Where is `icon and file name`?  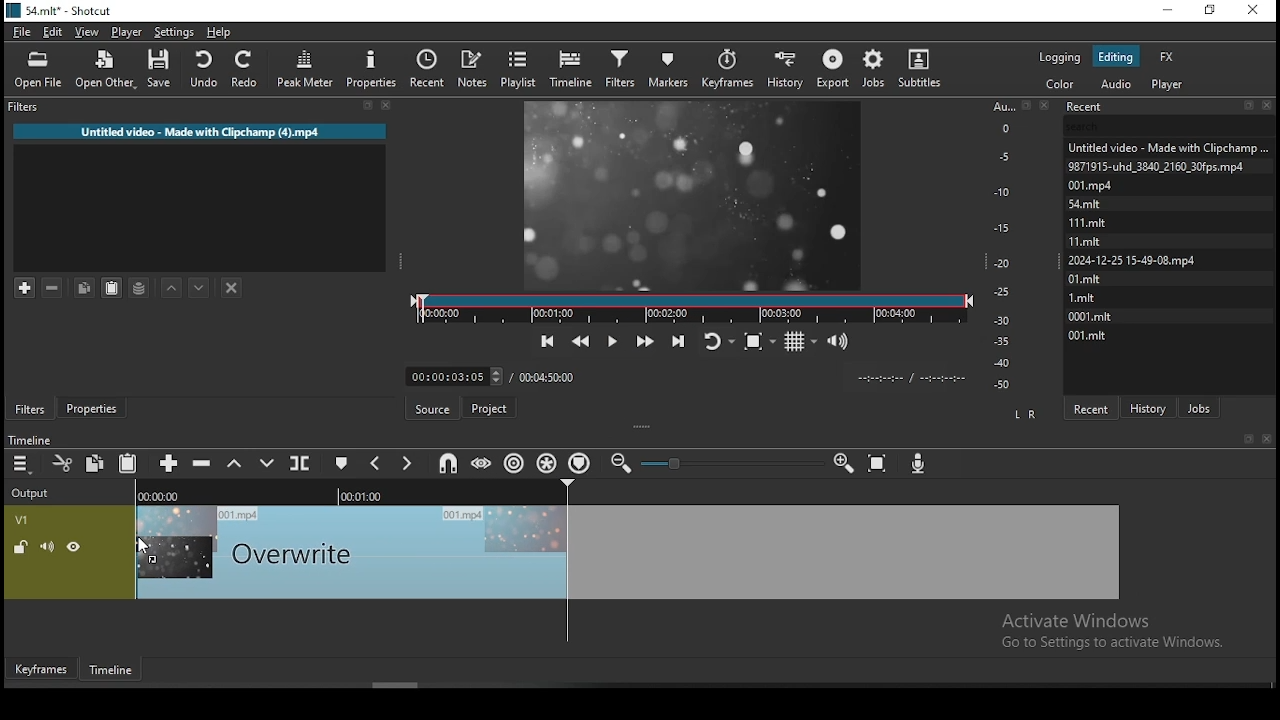 icon and file name is located at coordinates (63, 11).